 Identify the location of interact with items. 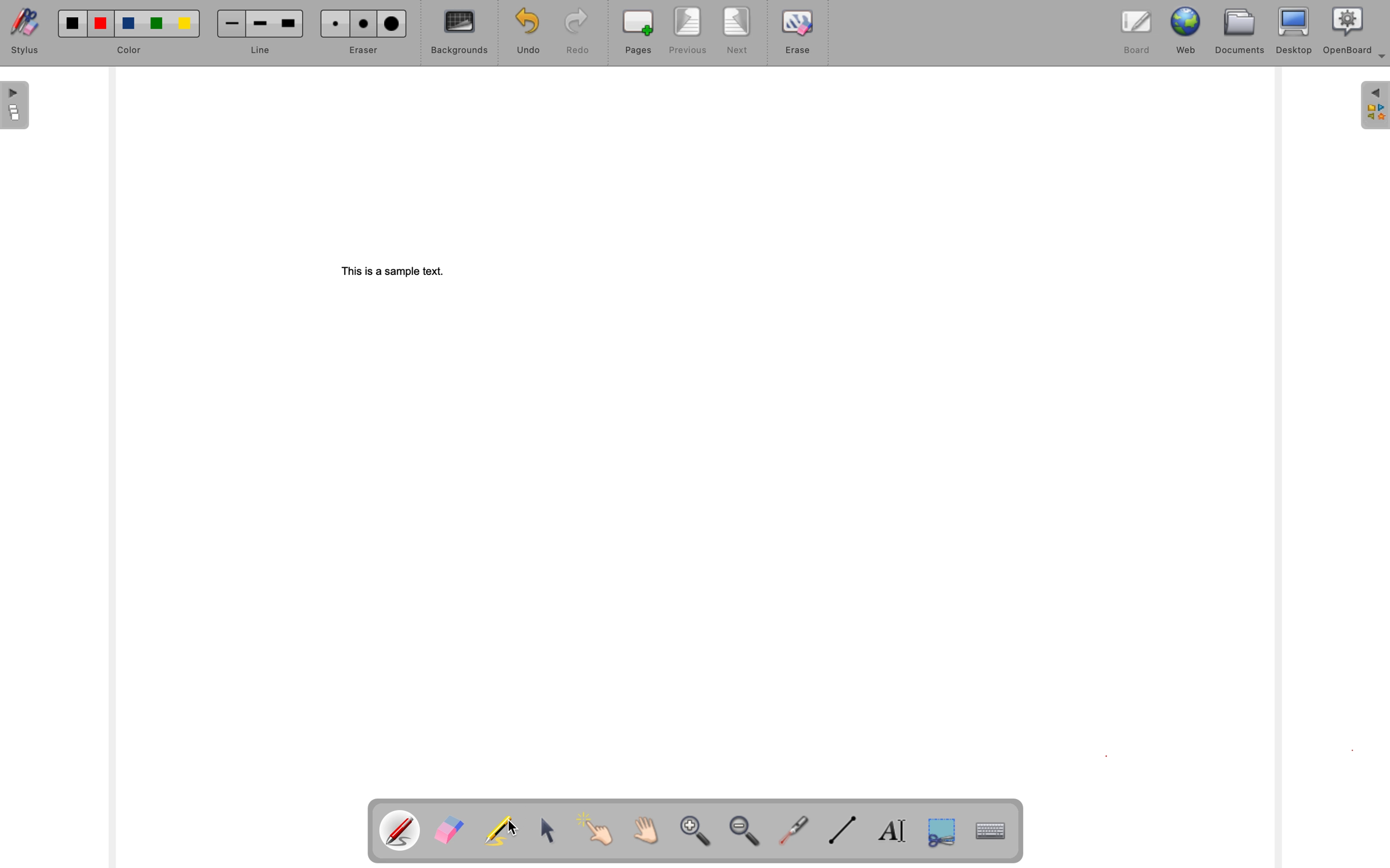
(603, 828).